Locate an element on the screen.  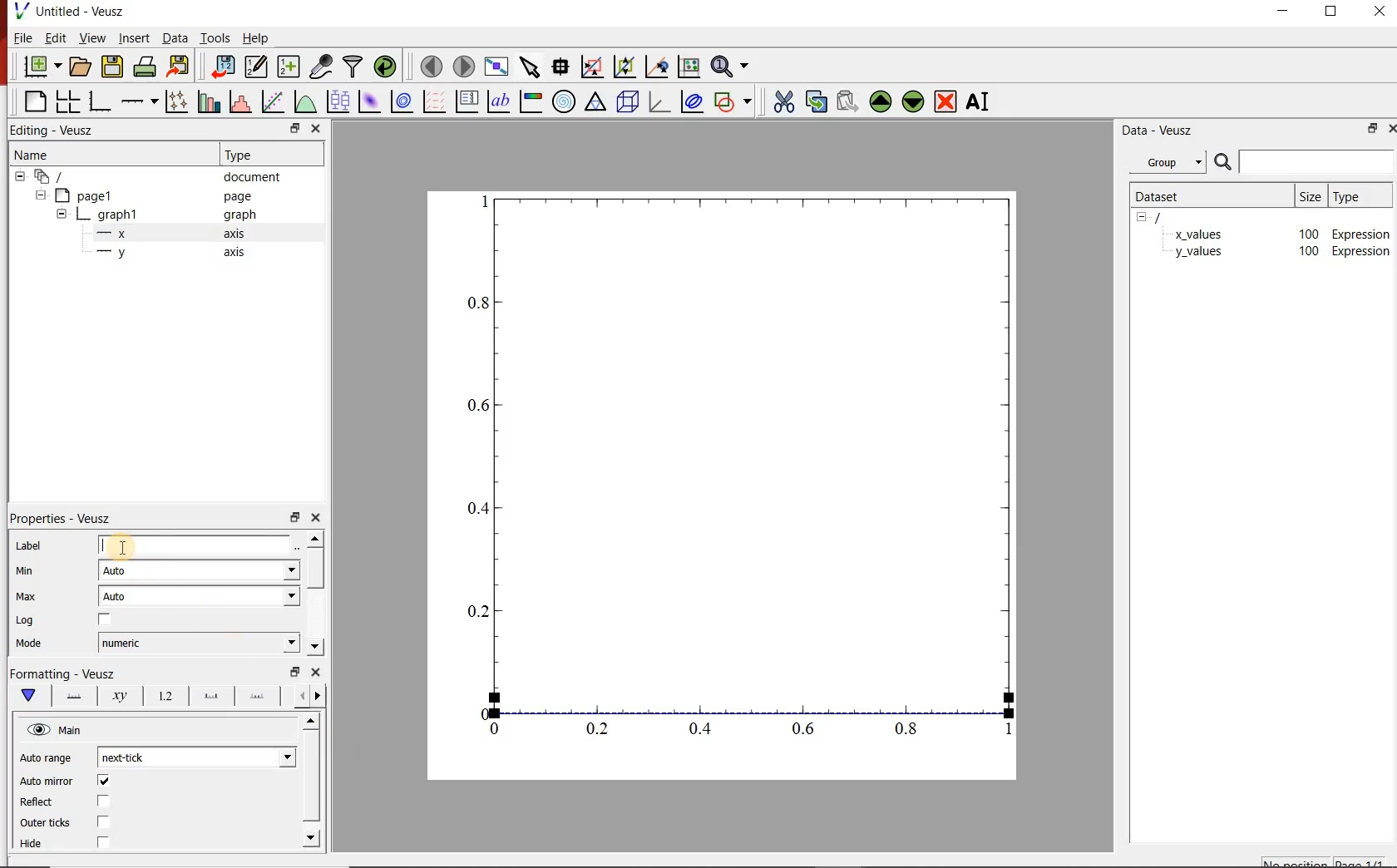
Auto range is located at coordinates (47, 757).